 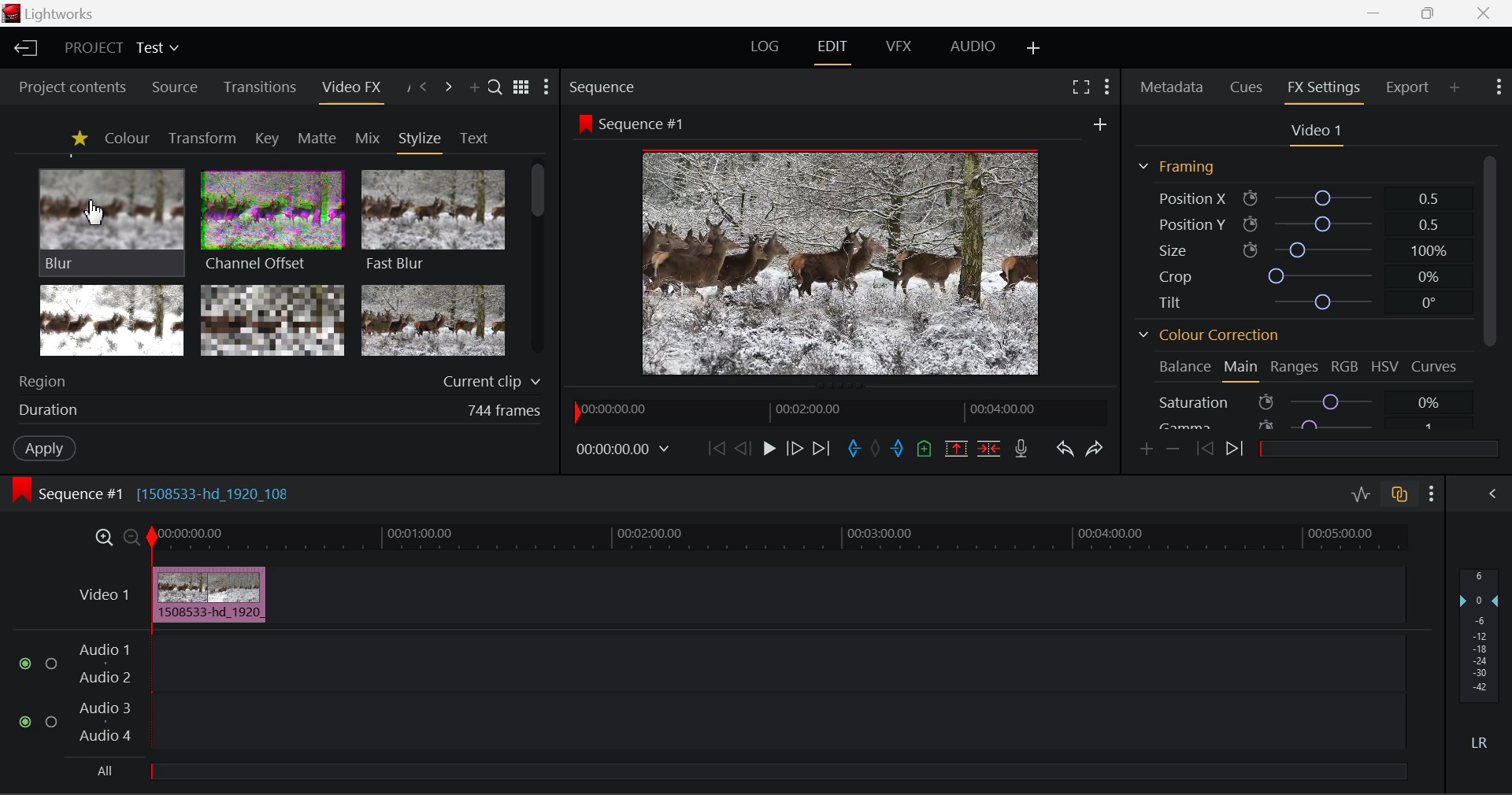 What do you see at coordinates (355, 89) in the screenshot?
I see `Video FX Panel Open` at bounding box center [355, 89].